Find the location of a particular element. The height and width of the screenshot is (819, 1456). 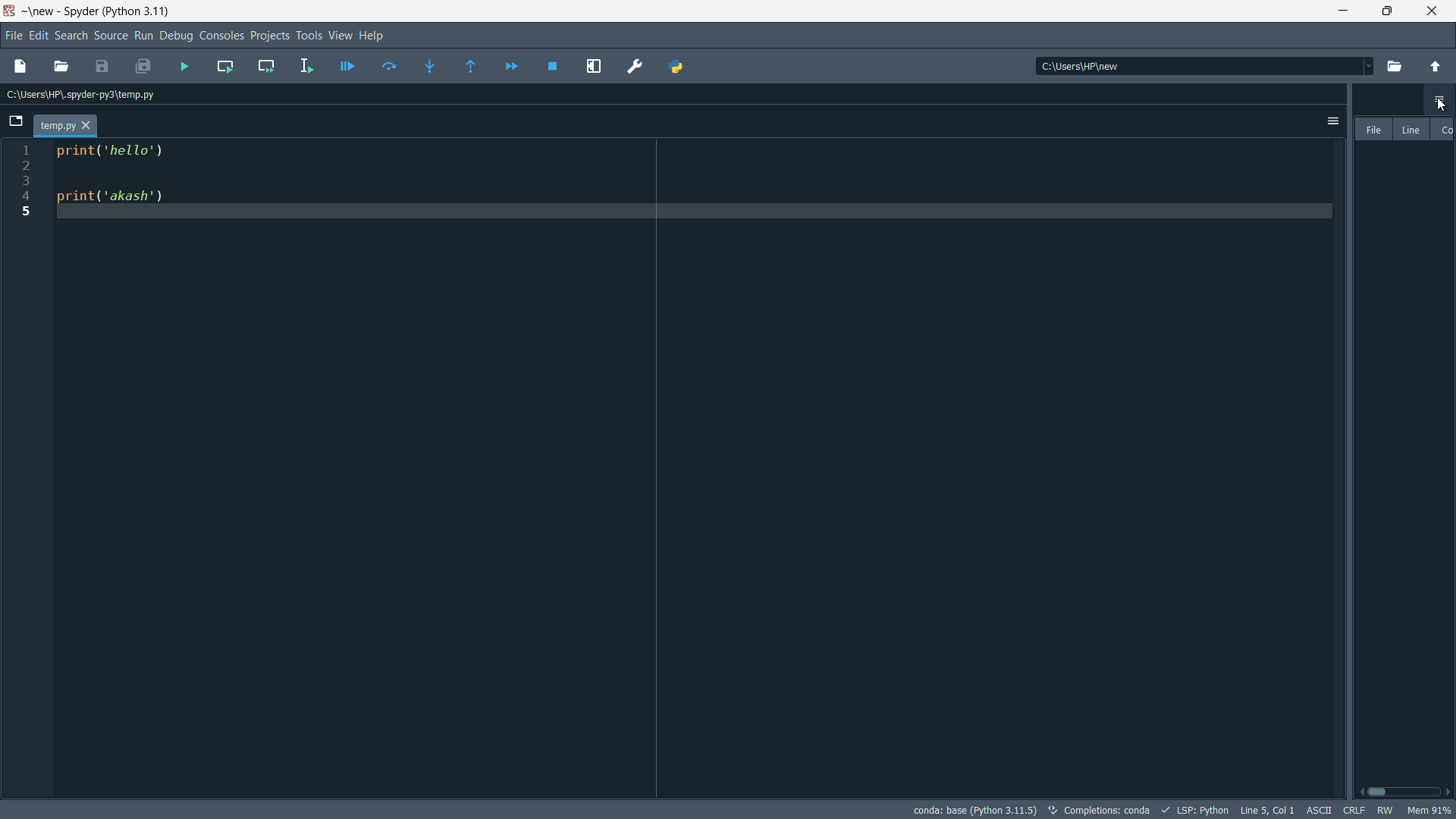

minimize app is located at coordinates (1342, 11).